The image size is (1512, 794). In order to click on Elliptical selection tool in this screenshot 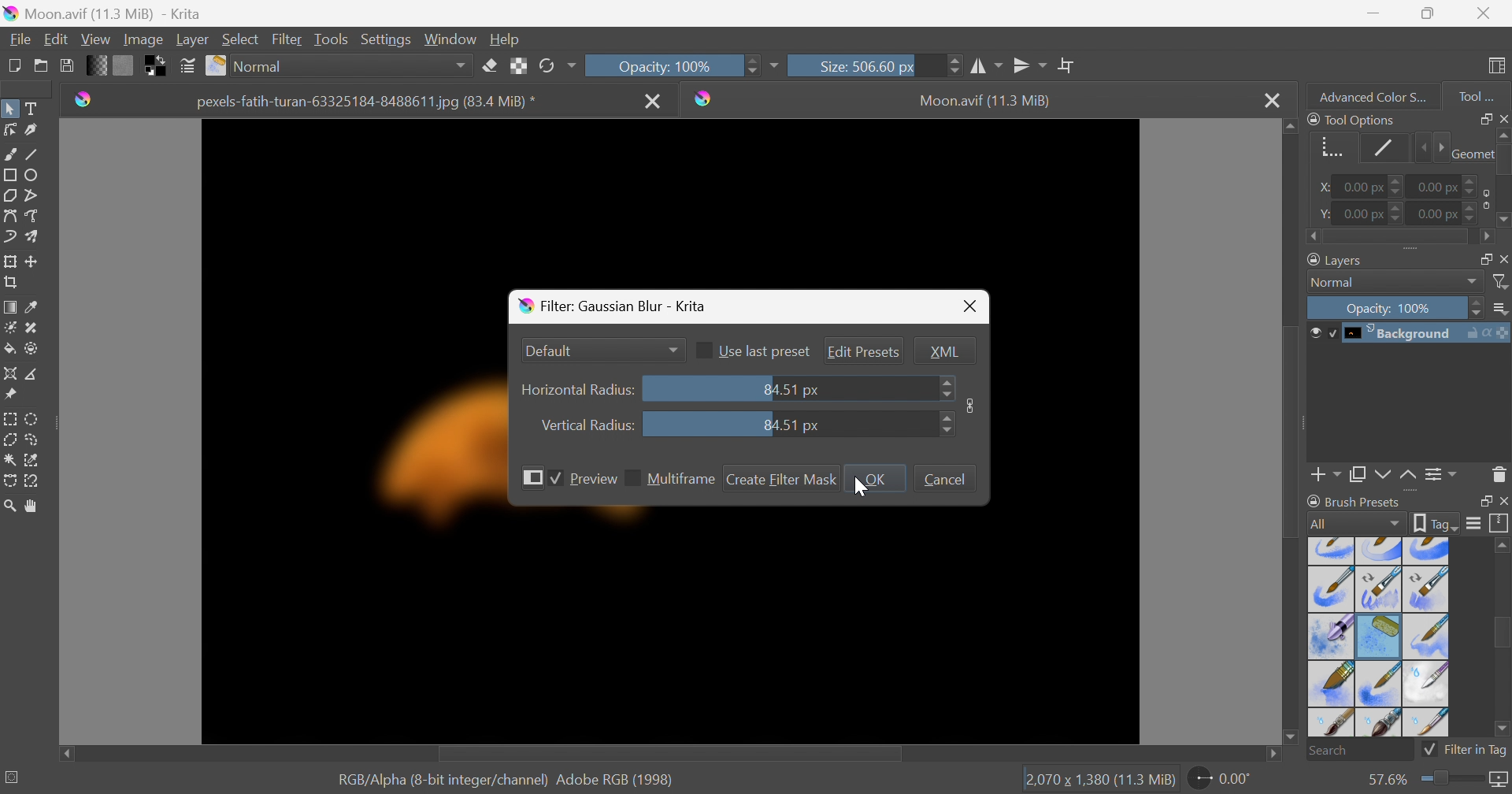, I will do `click(33, 420)`.